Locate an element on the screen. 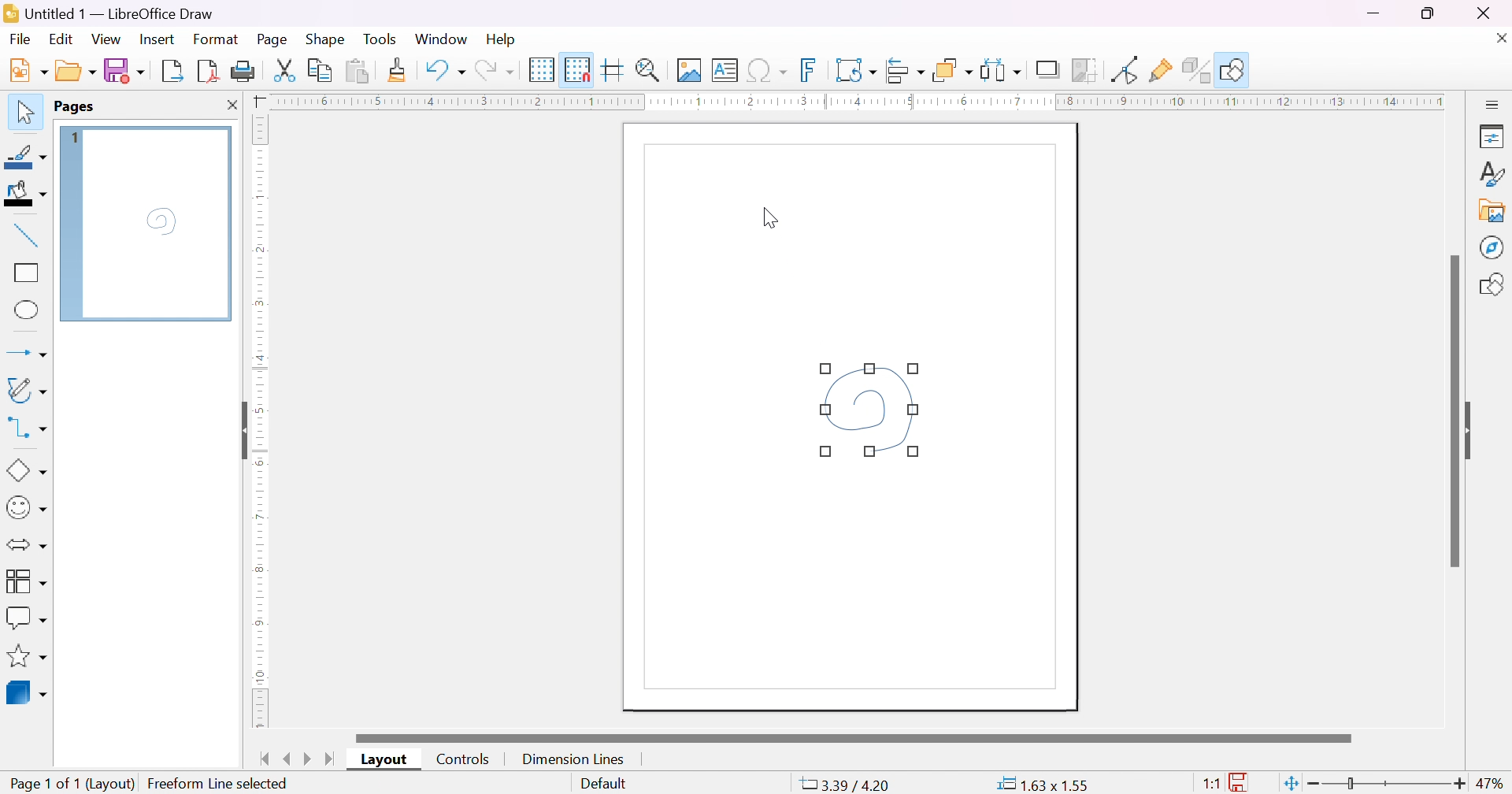 Image resolution: width=1512 pixels, height=794 pixels. scroll bar is located at coordinates (1453, 408).